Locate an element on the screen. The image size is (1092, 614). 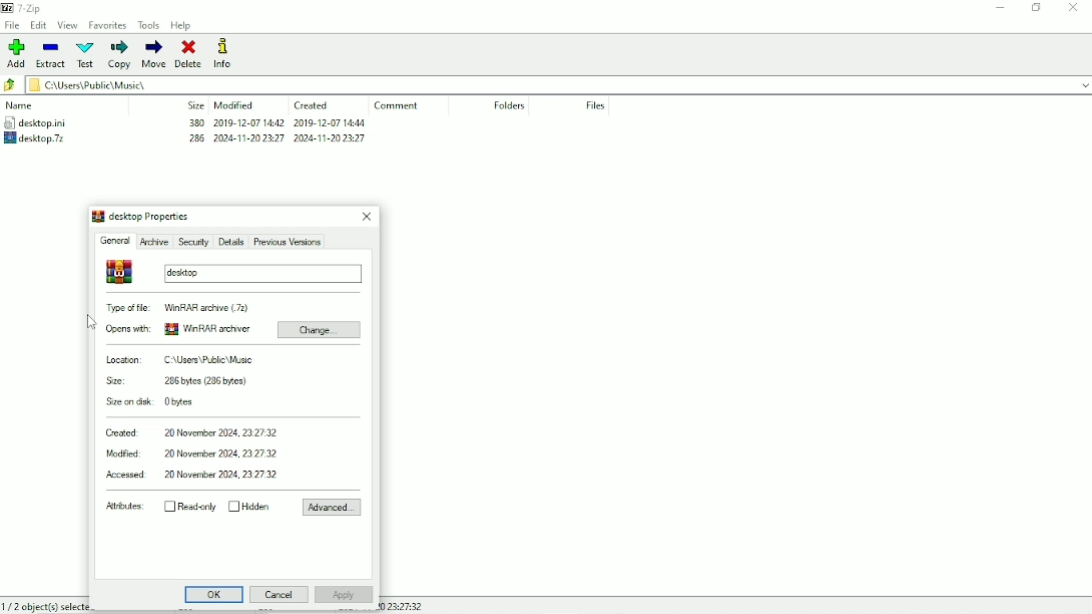
Test is located at coordinates (84, 54).